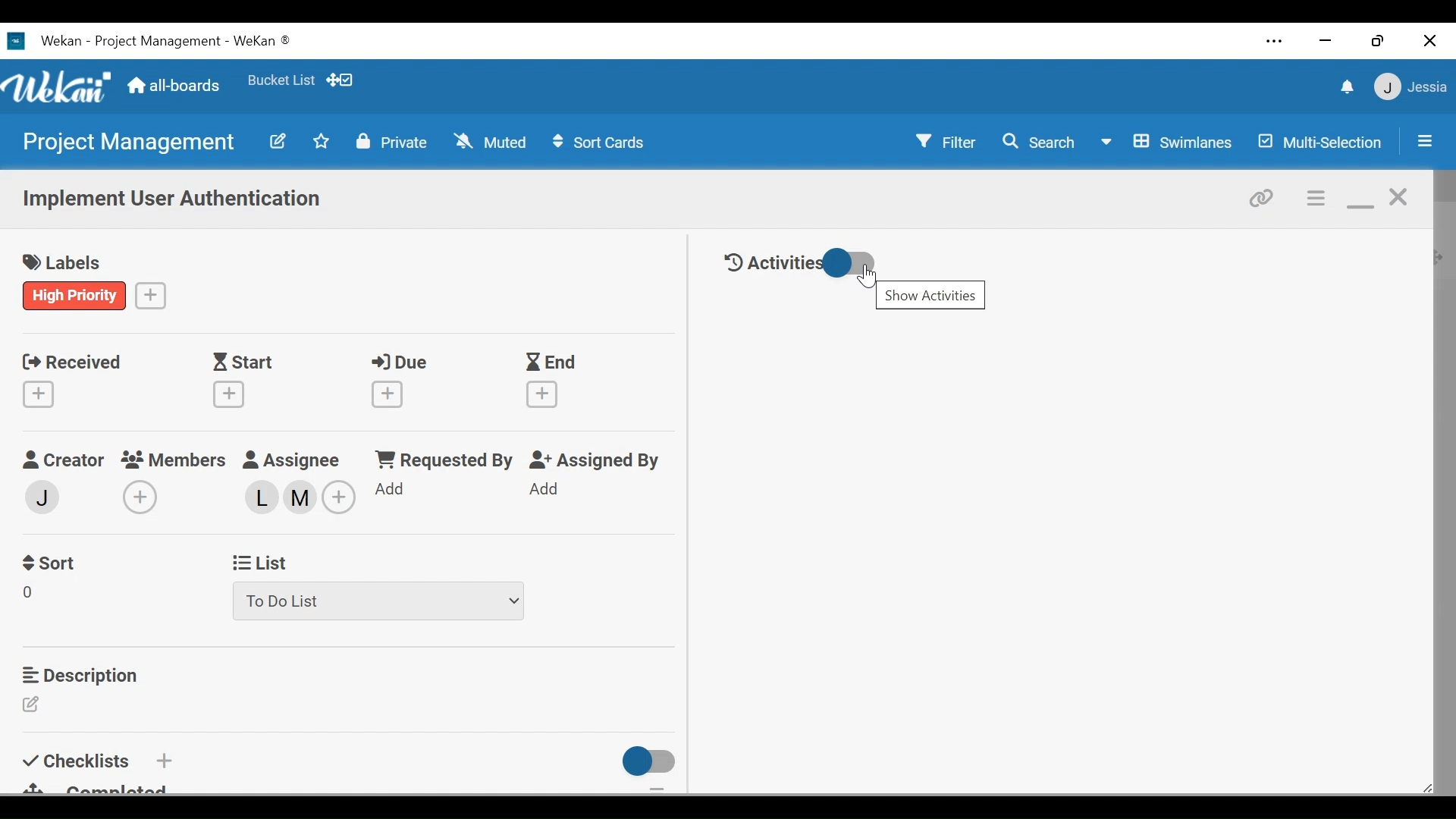  I want to click on Create Due Date, so click(386, 395).